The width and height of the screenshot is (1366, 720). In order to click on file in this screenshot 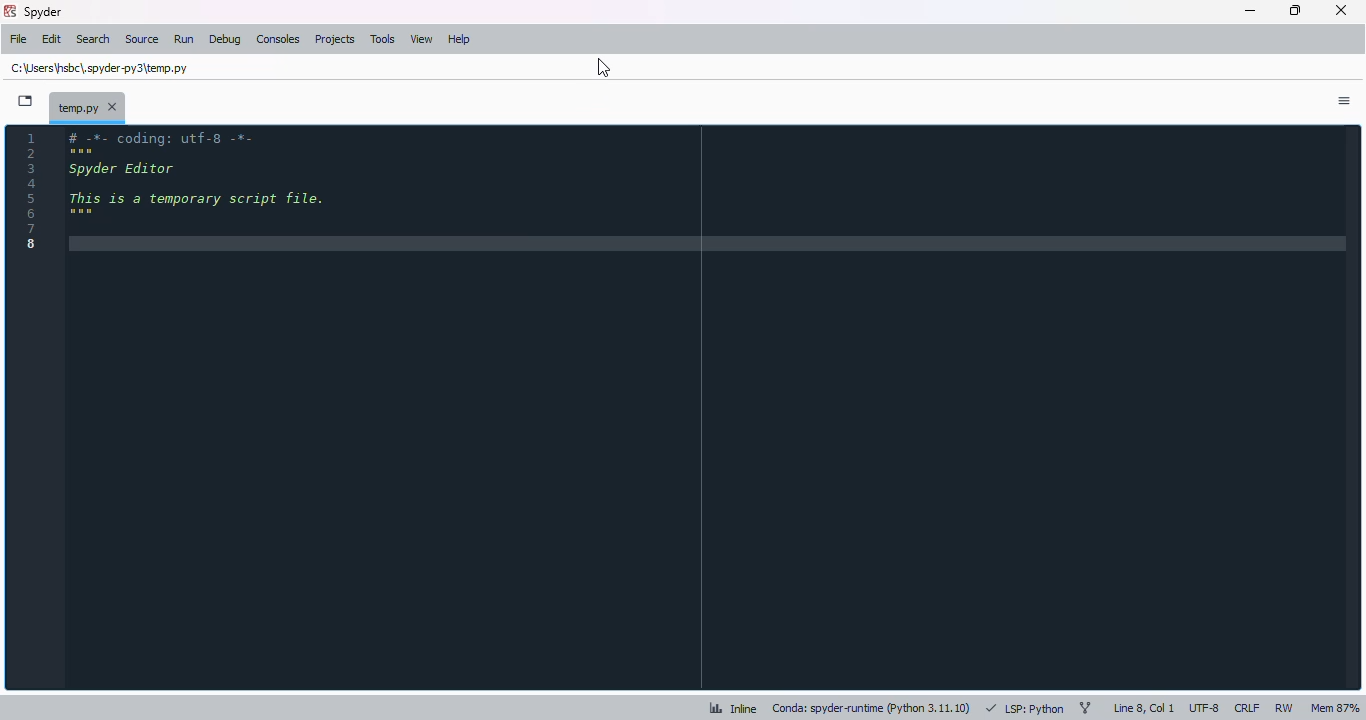, I will do `click(18, 39)`.